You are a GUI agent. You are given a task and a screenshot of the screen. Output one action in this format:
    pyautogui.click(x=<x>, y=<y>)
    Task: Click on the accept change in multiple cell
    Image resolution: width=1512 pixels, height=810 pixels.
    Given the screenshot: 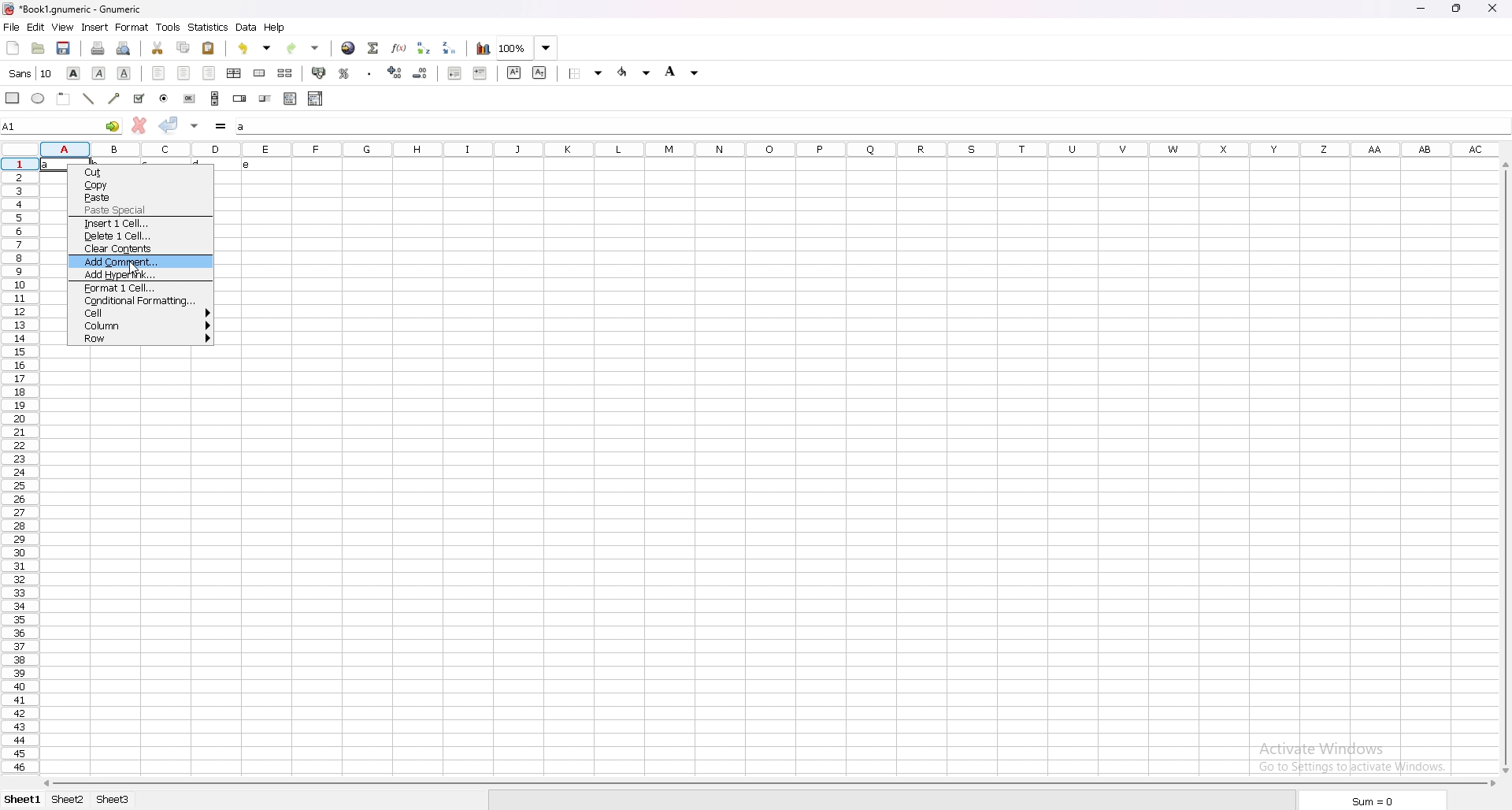 What is the action you would take?
    pyautogui.click(x=195, y=126)
    